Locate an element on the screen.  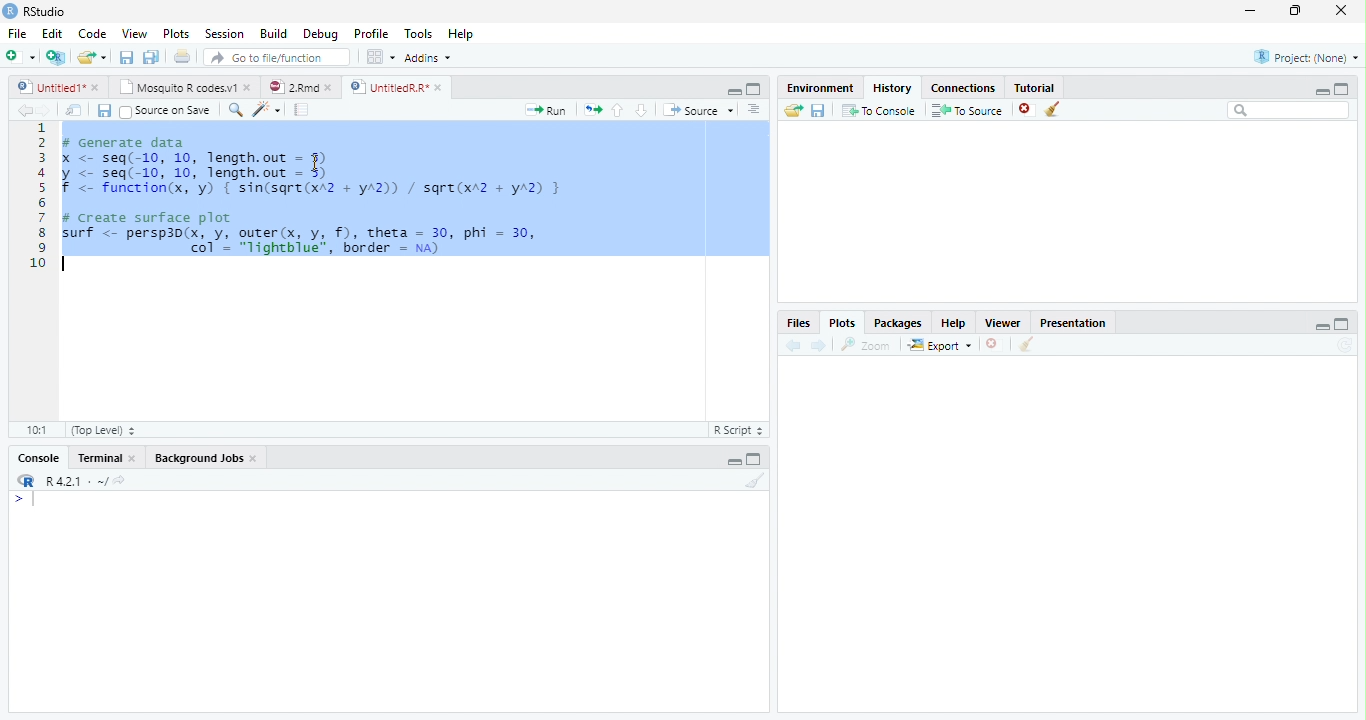
Save current document is located at coordinates (125, 56).